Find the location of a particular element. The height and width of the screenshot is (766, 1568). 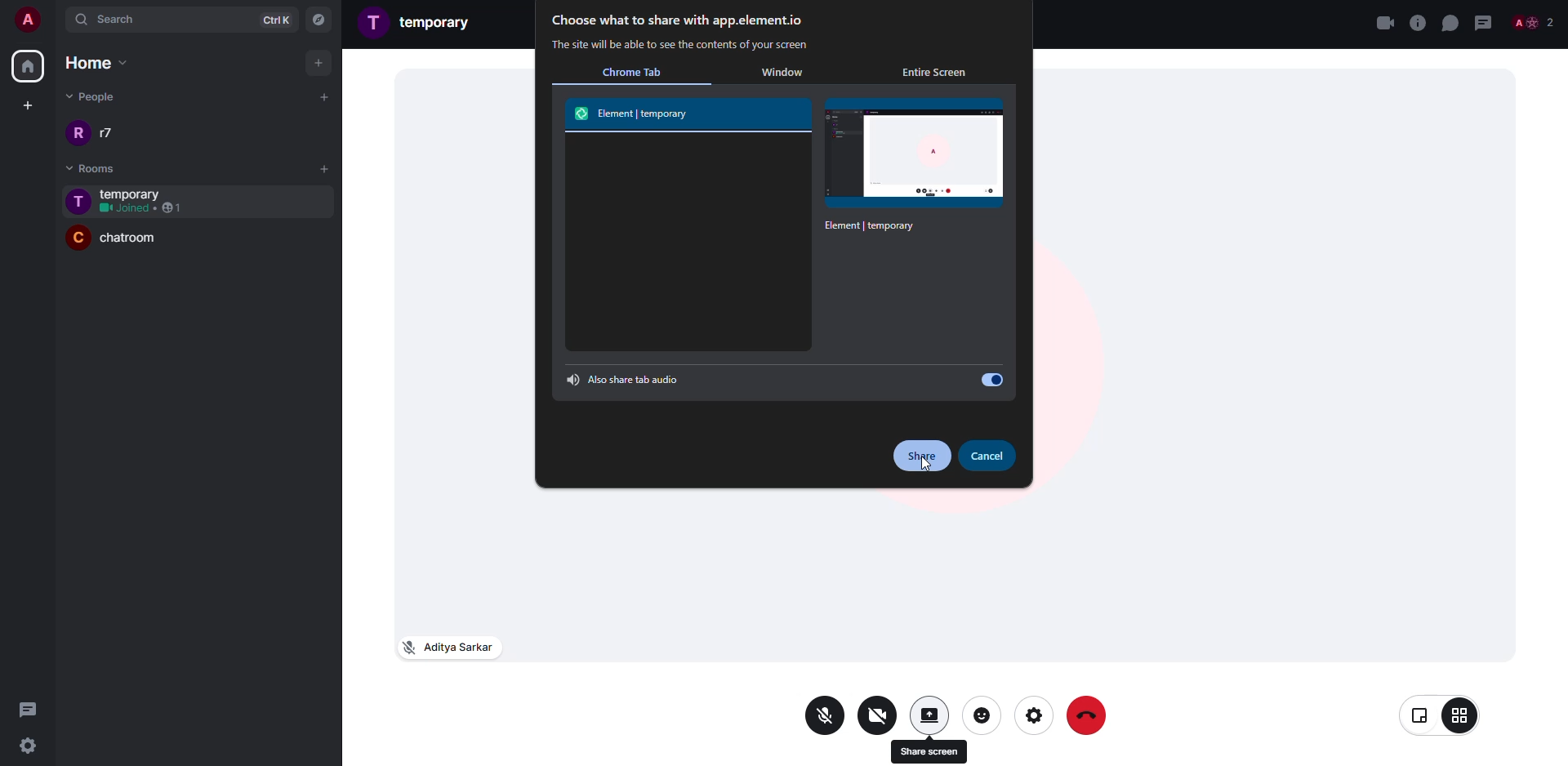

voice call is located at coordinates (1417, 23).